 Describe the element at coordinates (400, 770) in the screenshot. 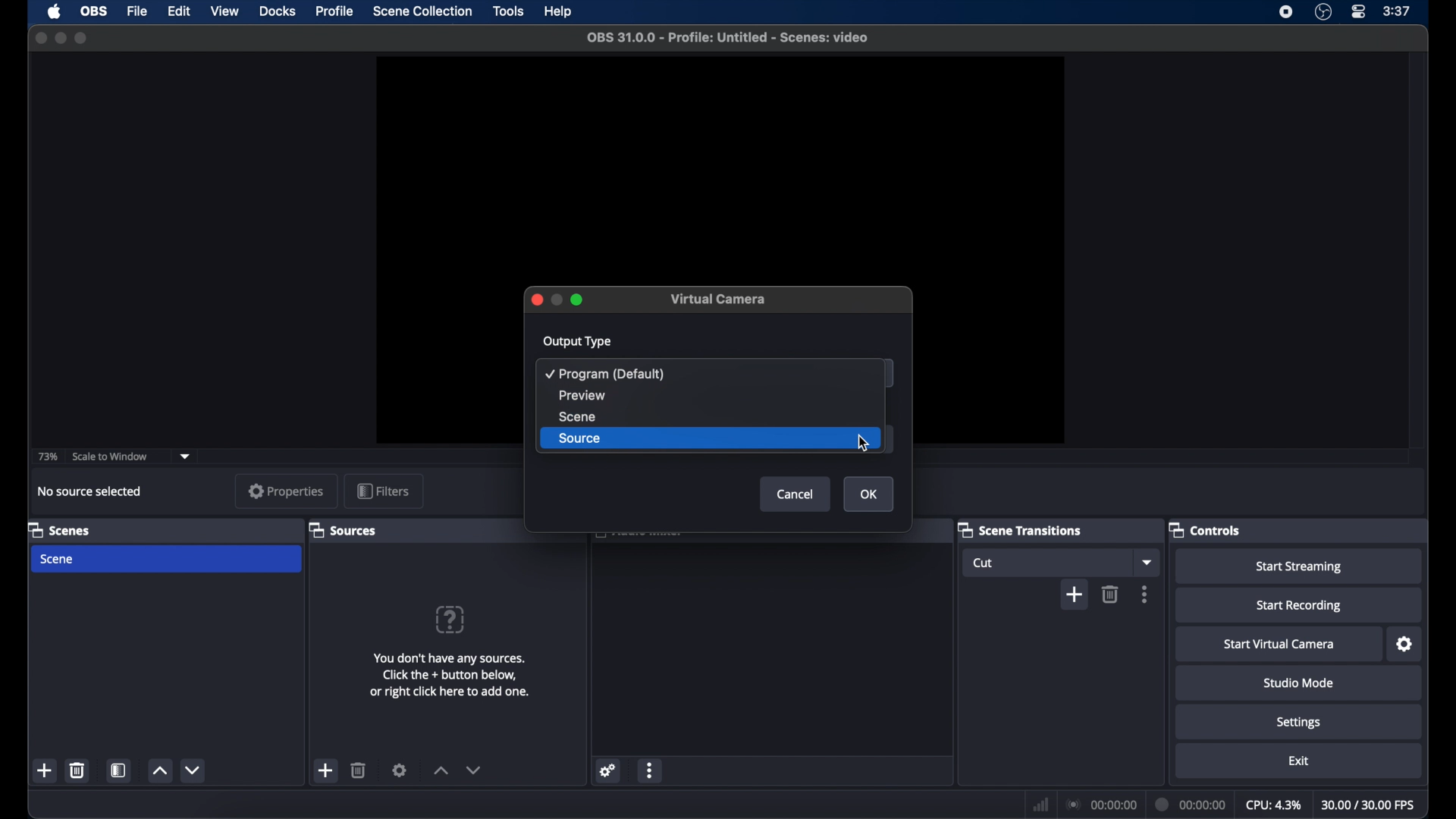

I see `settings` at that location.